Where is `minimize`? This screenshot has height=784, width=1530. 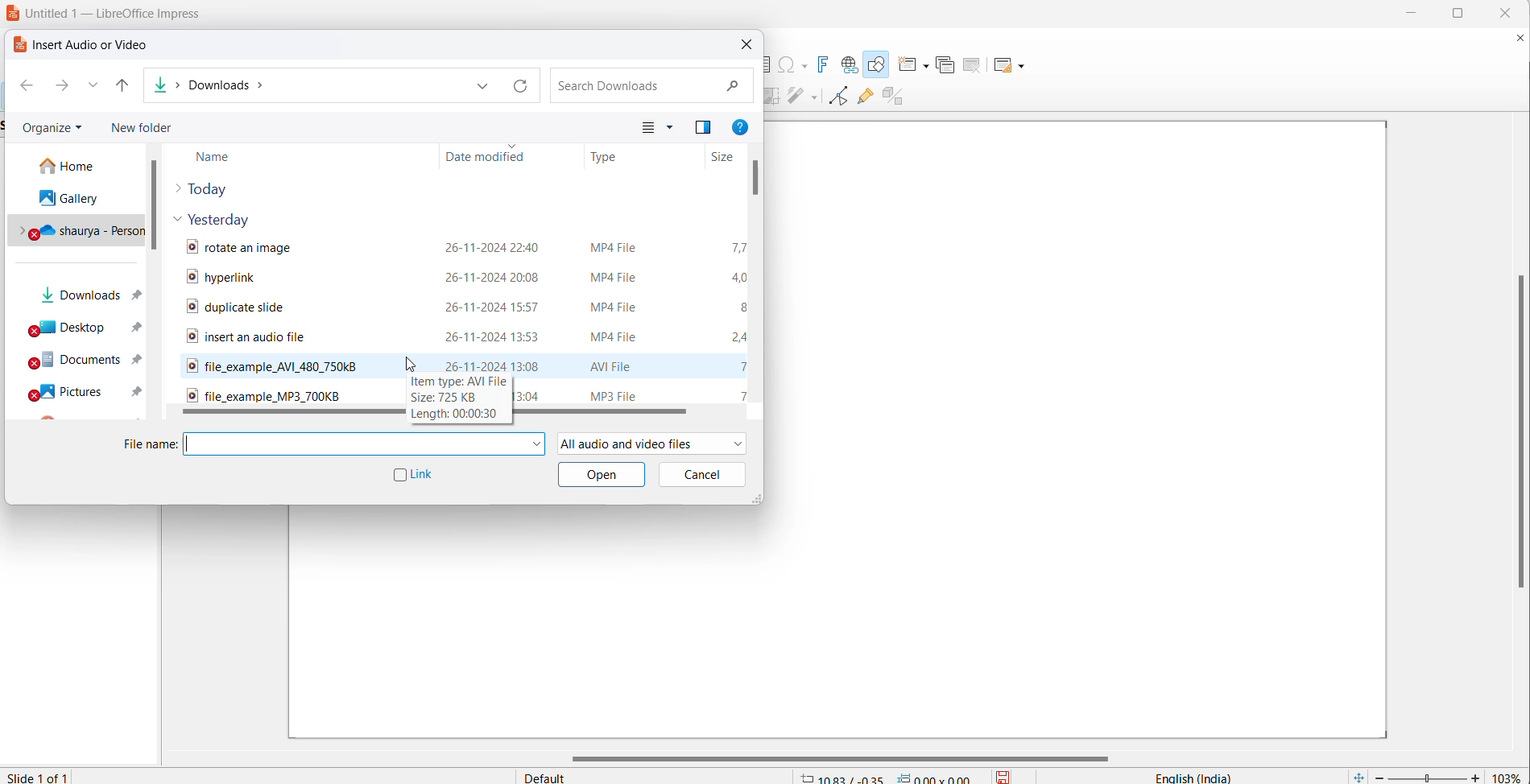 minimize is located at coordinates (1407, 12).